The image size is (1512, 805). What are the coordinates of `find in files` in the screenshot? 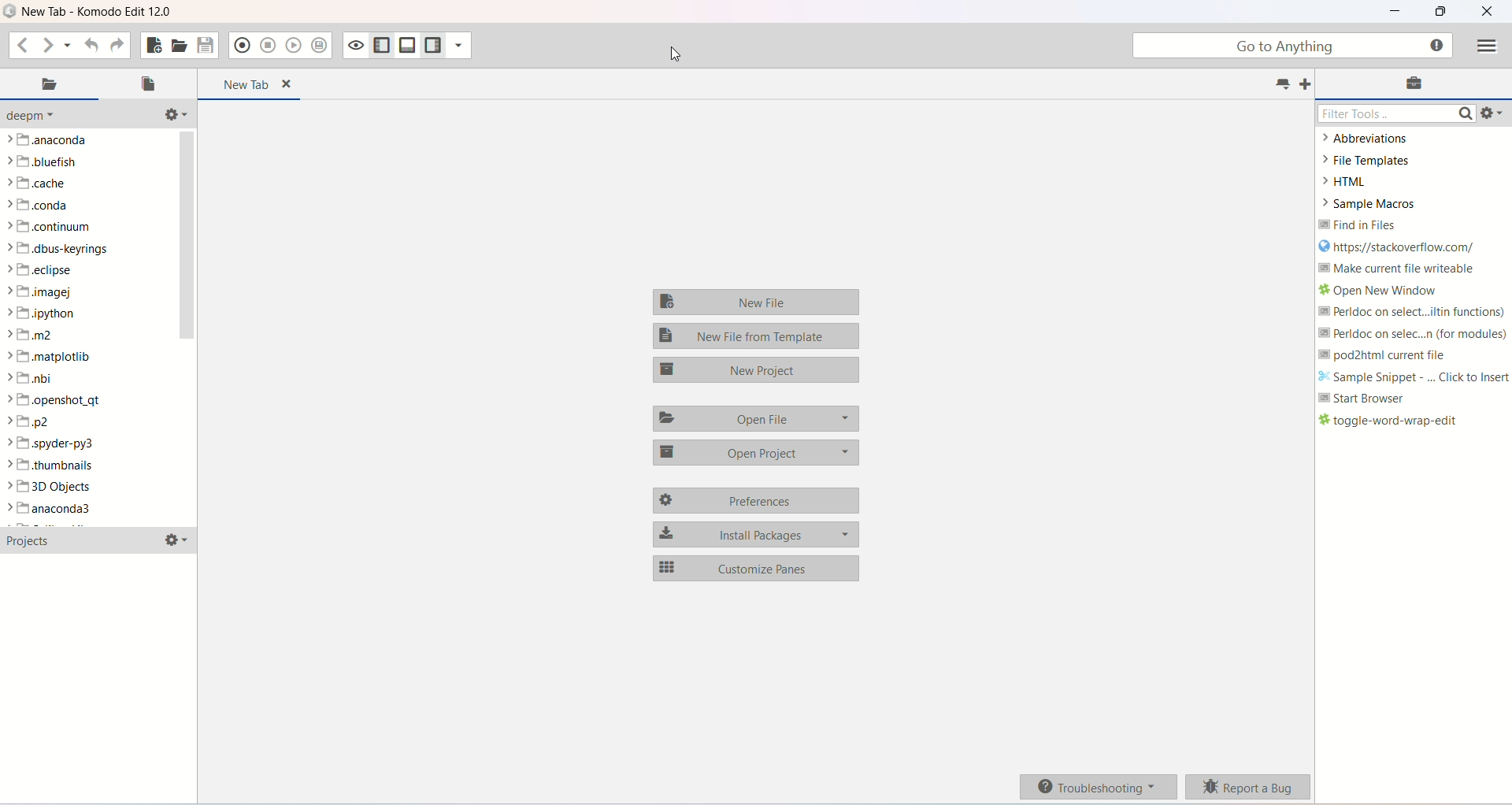 It's located at (1360, 226).